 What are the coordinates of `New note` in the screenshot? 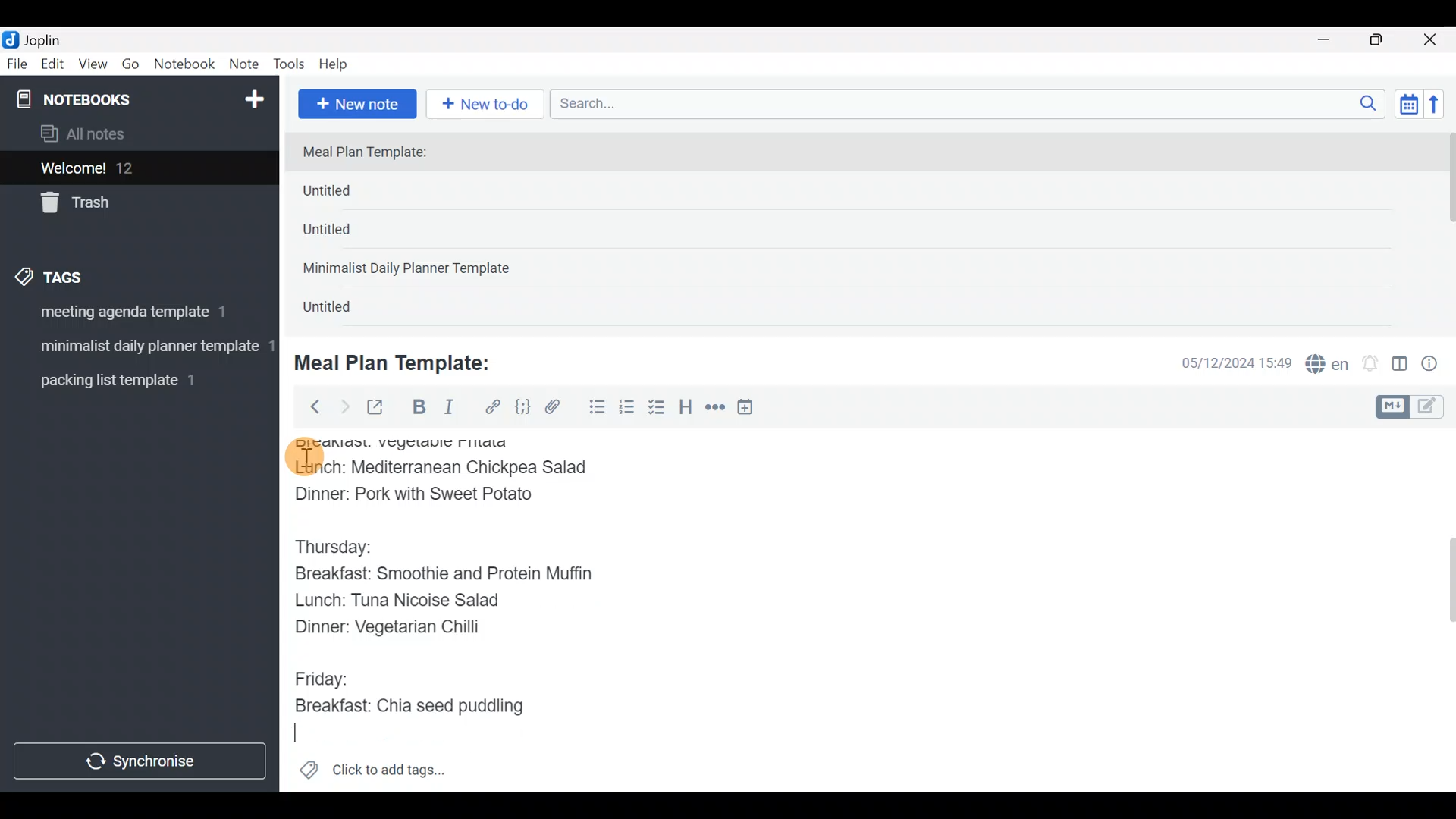 It's located at (356, 102).